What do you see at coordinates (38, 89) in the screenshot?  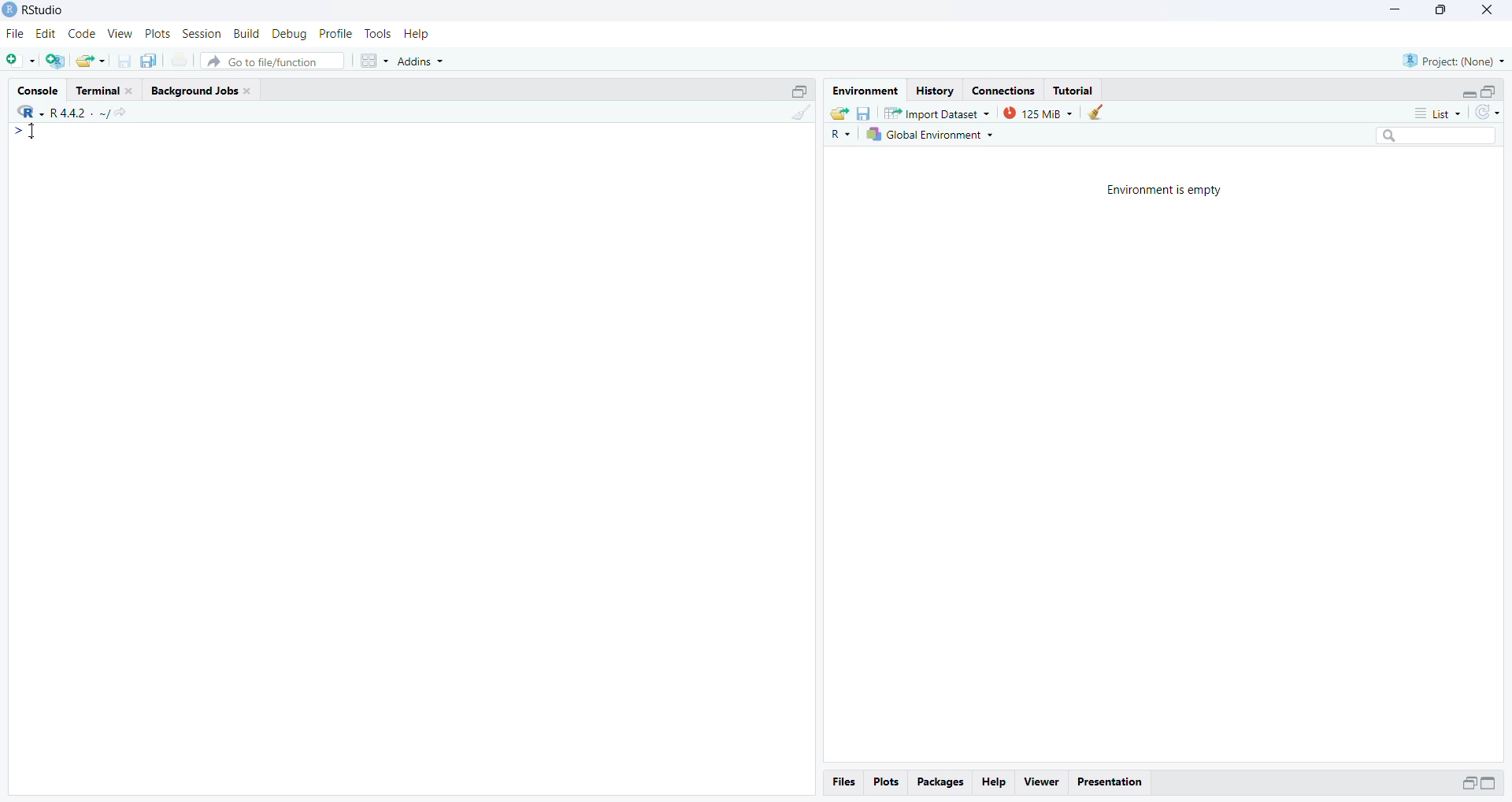 I see `Console` at bounding box center [38, 89].